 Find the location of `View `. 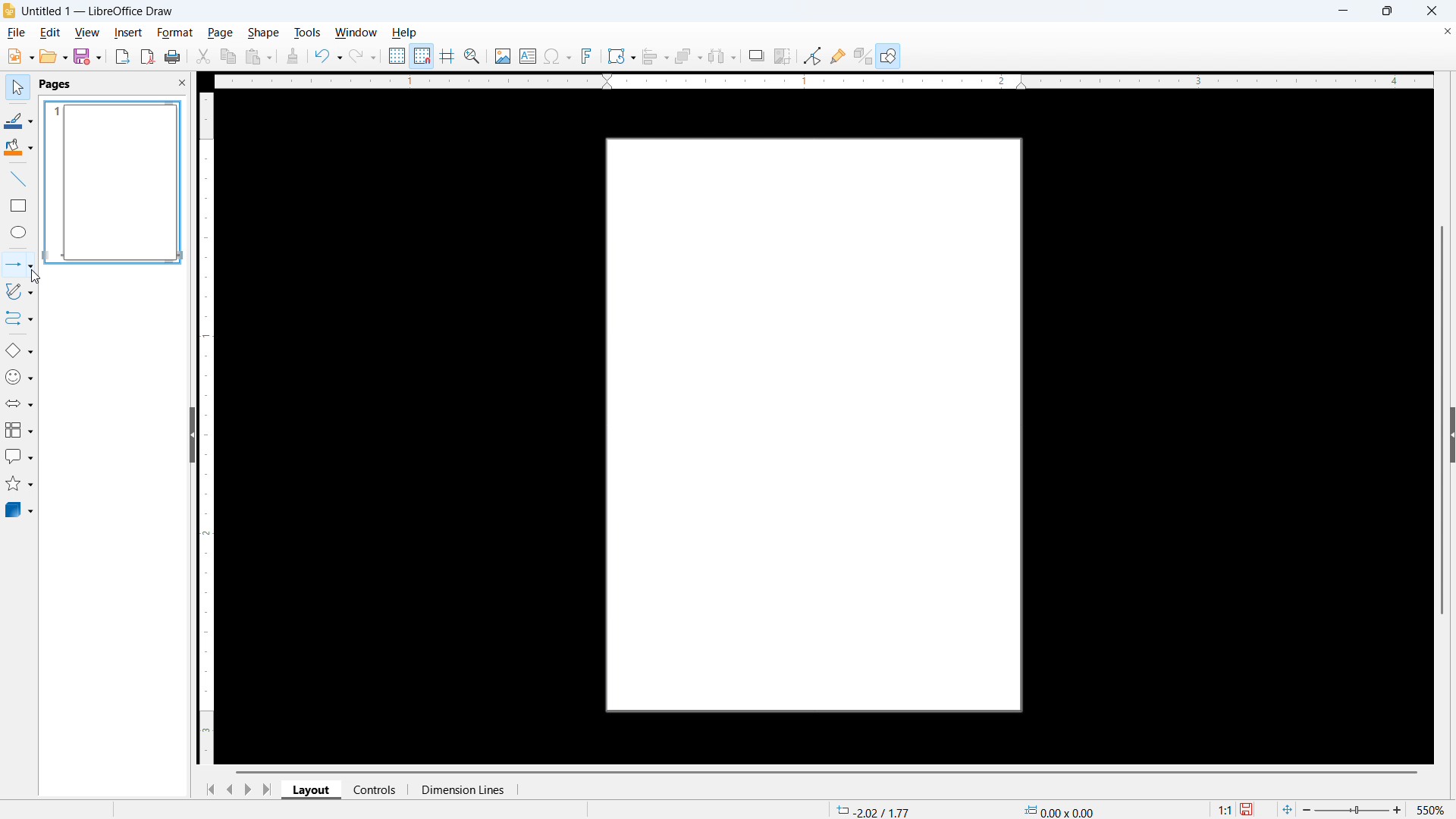

View  is located at coordinates (88, 33).